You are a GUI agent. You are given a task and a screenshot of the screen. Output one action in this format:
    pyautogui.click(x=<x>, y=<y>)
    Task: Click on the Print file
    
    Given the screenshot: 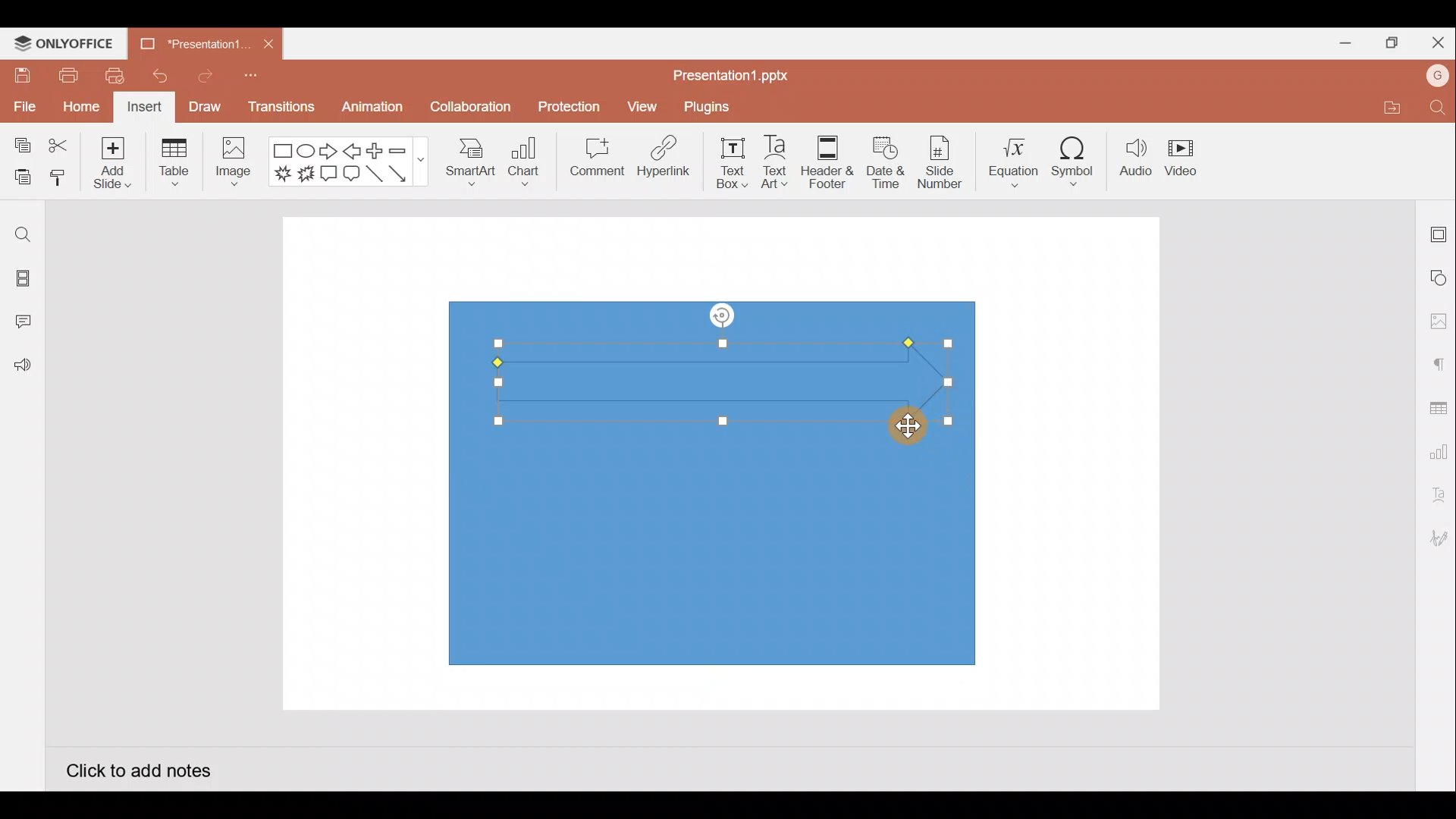 What is the action you would take?
    pyautogui.click(x=67, y=74)
    